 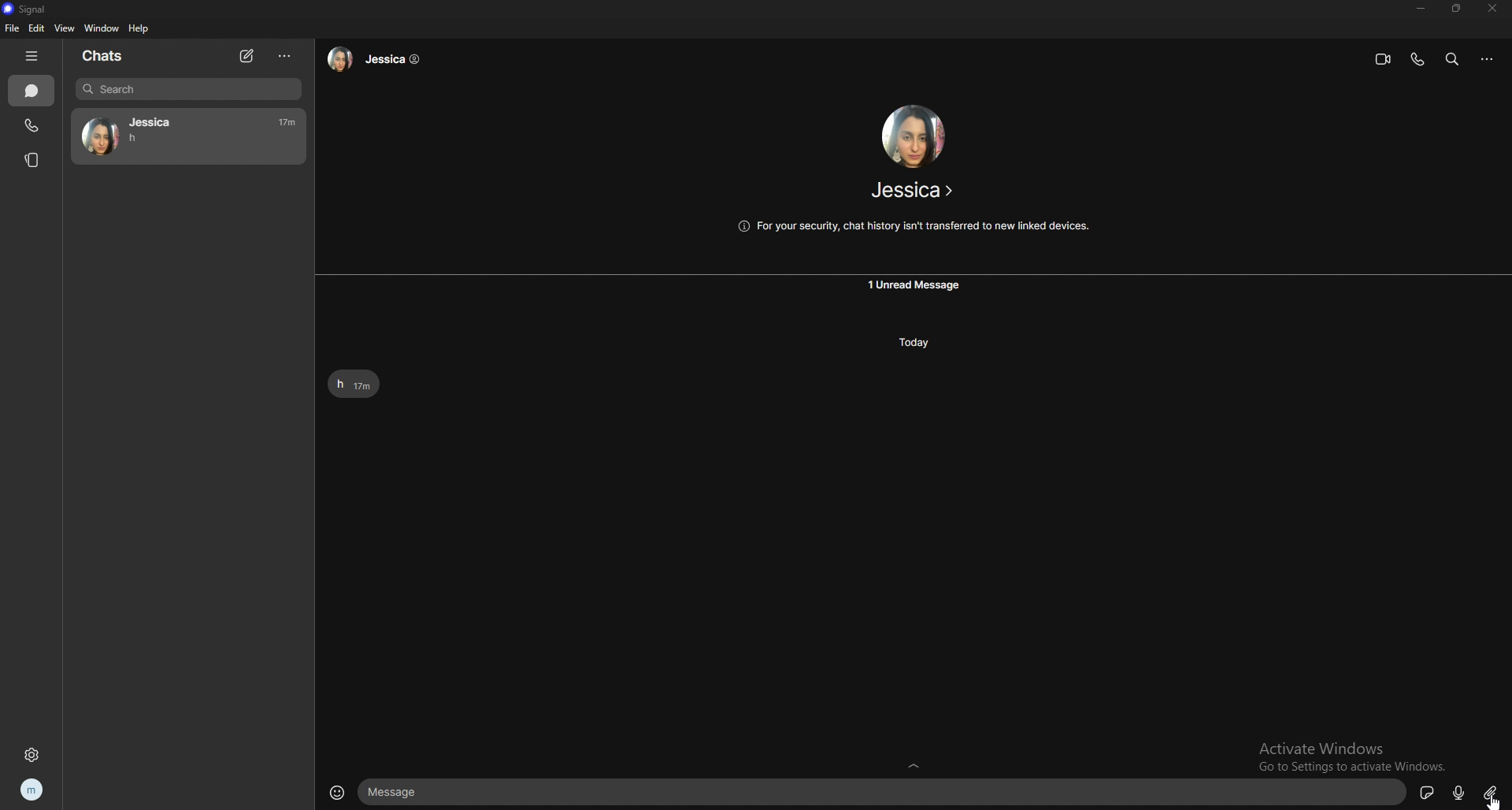 What do you see at coordinates (917, 764) in the screenshot?
I see `expand text box` at bounding box center [917, 764].